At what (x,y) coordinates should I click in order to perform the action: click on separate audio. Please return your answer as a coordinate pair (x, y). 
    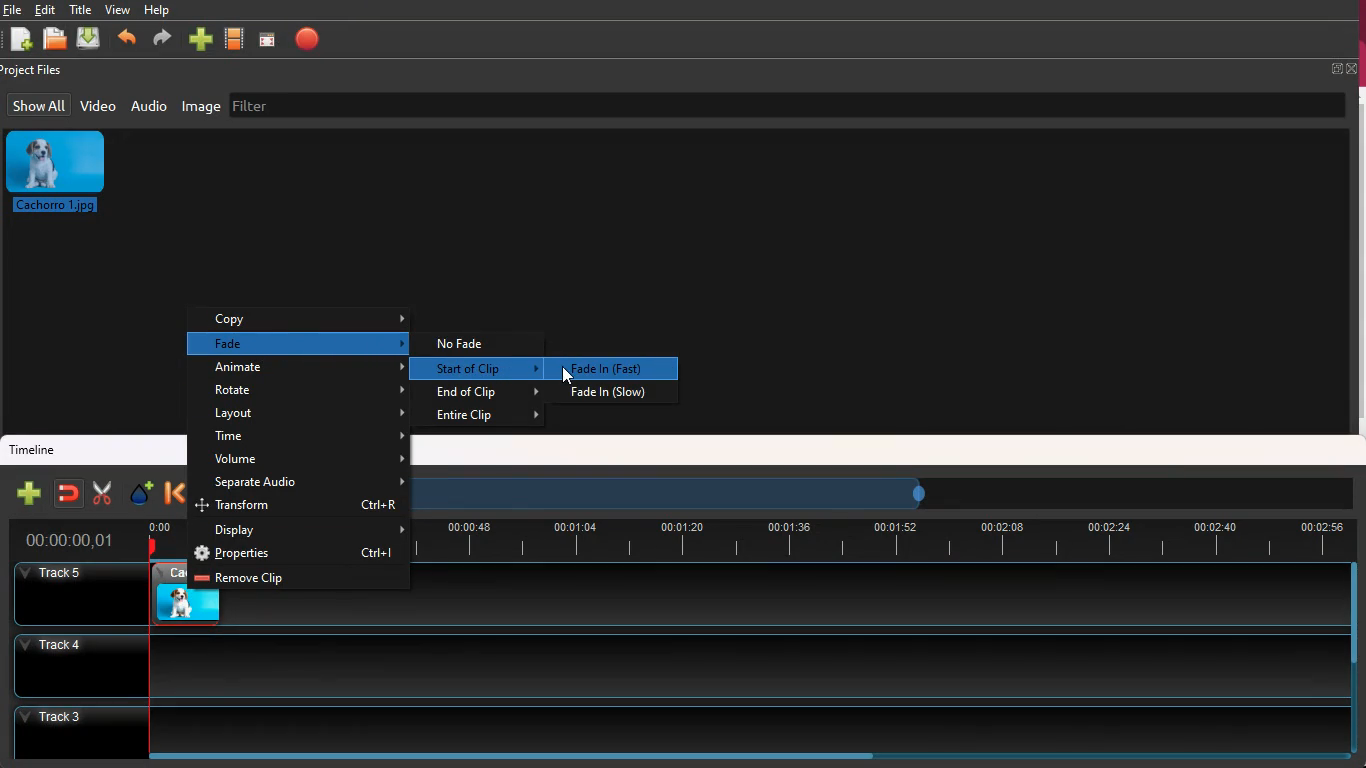
    Looking at the image, I should click on (301, 483).